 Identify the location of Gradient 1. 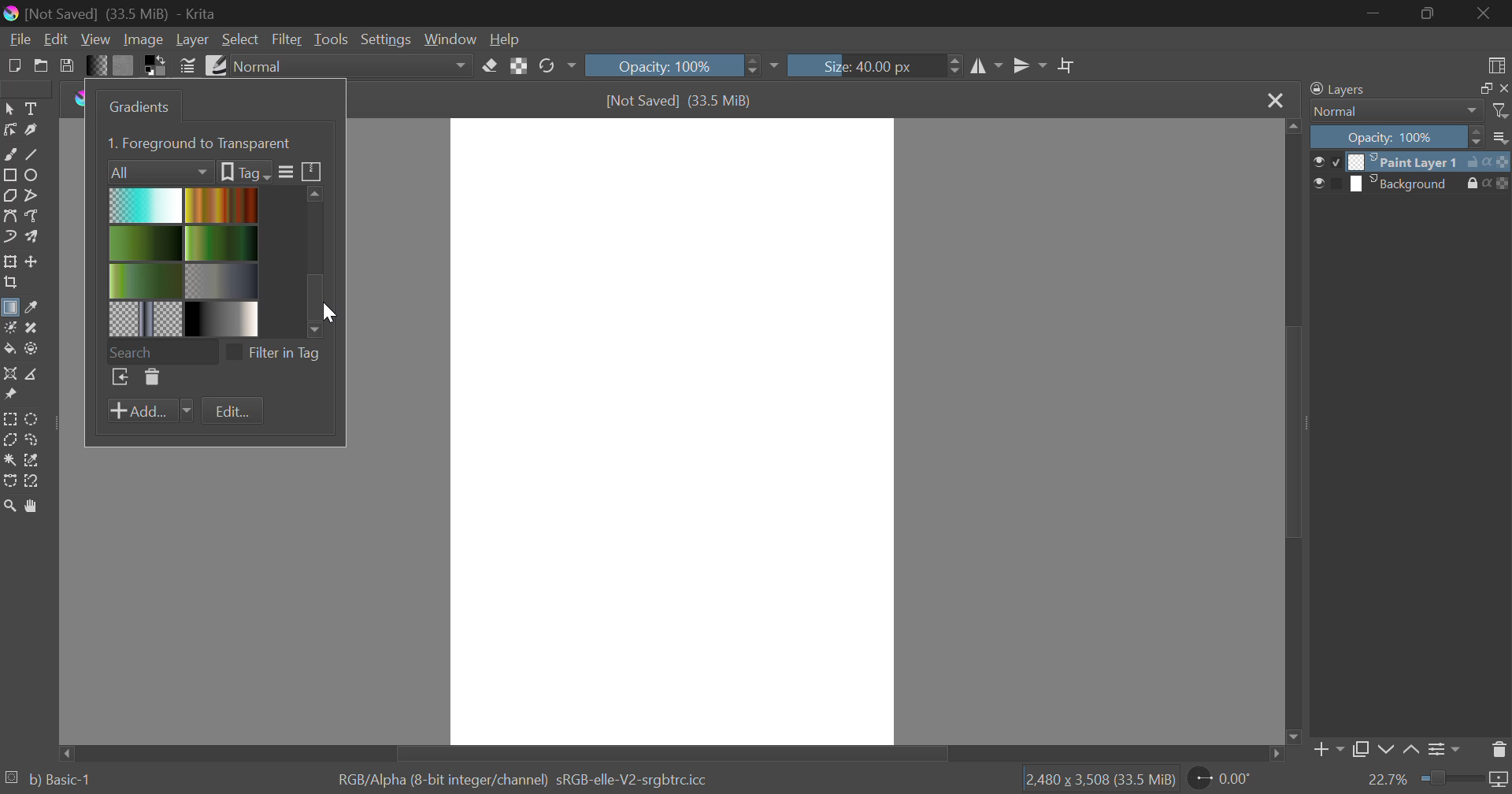
(146, 205).